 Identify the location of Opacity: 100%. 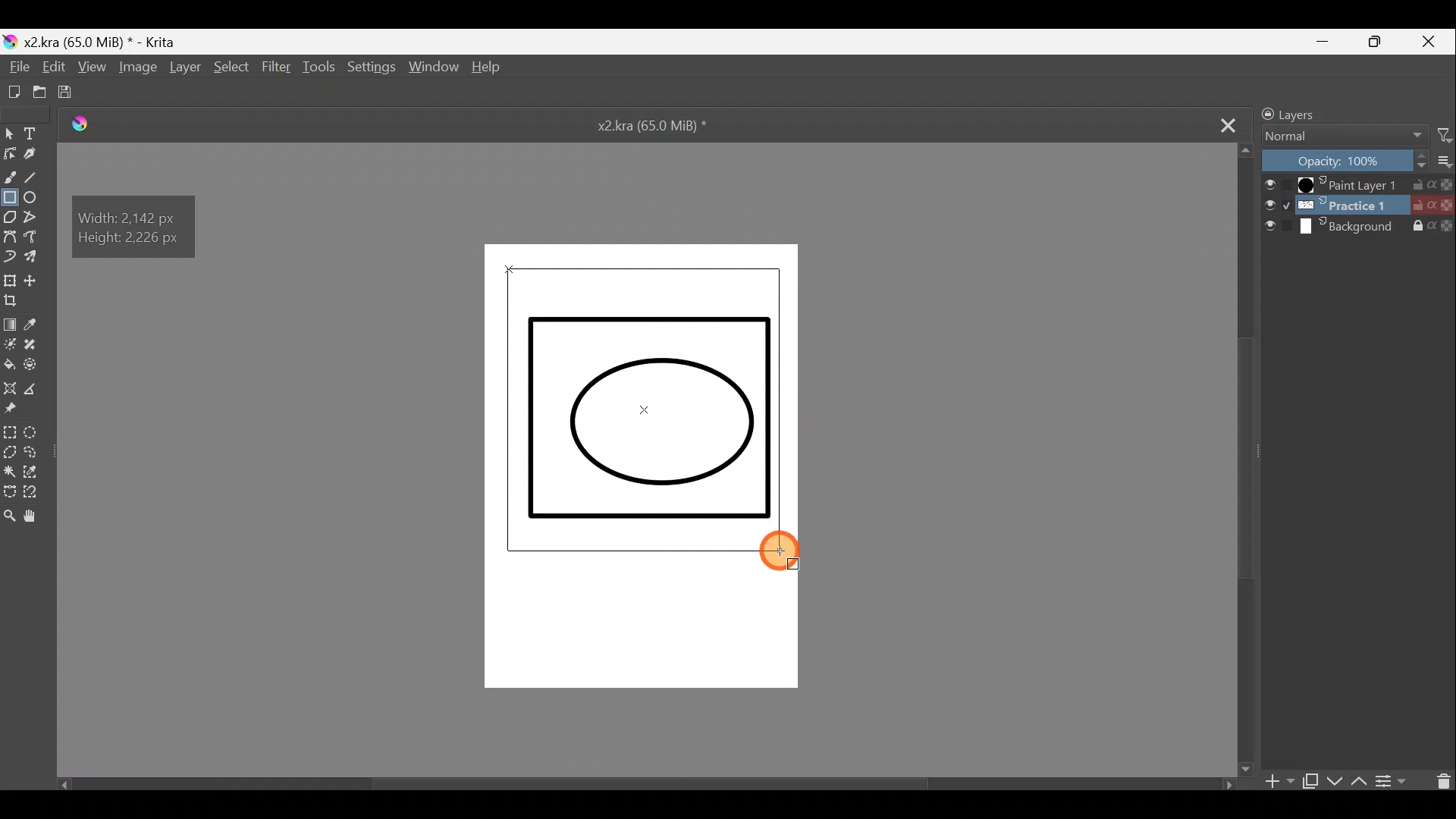
(1346, 160).